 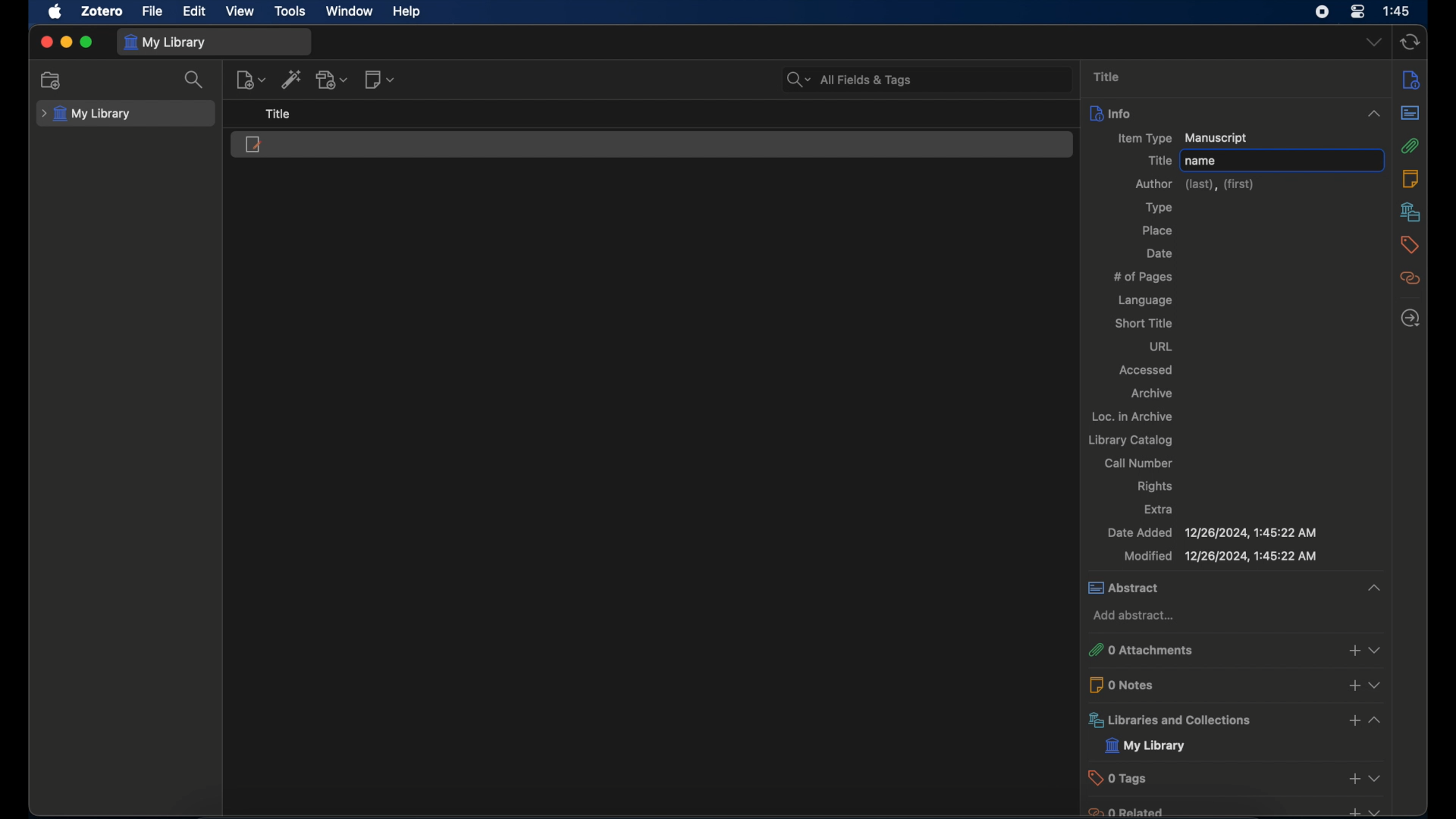 What do you see at coordinates (1323, 12) in the screenshot?
I see `screen recorder` at bounding box center [1323, 12].